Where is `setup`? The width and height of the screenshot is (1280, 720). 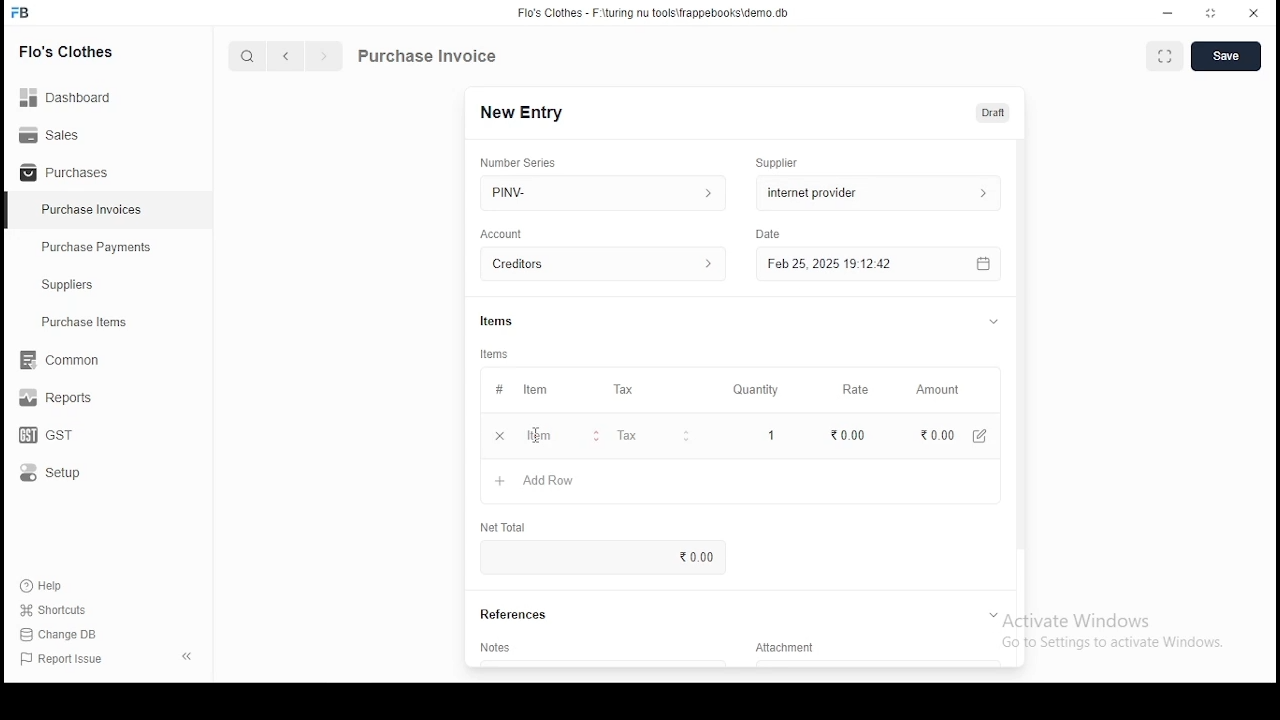 setup is located at coordinates (63, 474).